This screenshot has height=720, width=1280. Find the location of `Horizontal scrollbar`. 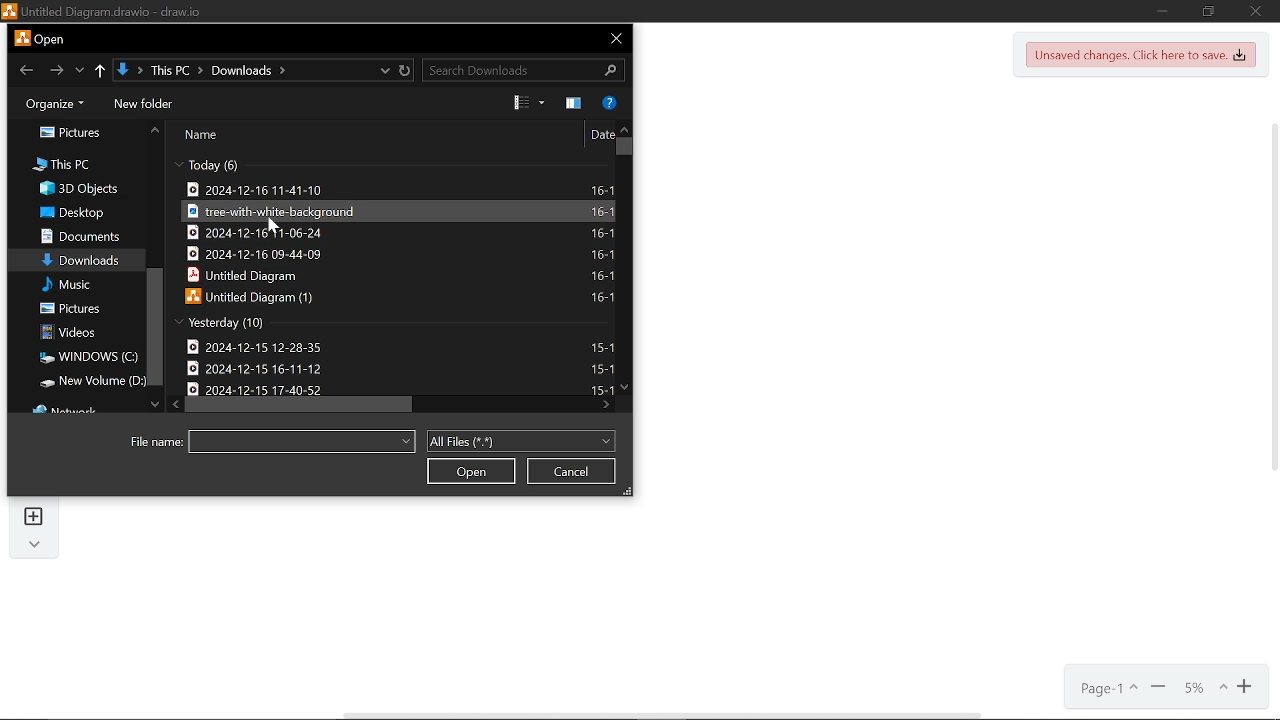

Horizontal scrollbar is located at coordinates (302, 405).